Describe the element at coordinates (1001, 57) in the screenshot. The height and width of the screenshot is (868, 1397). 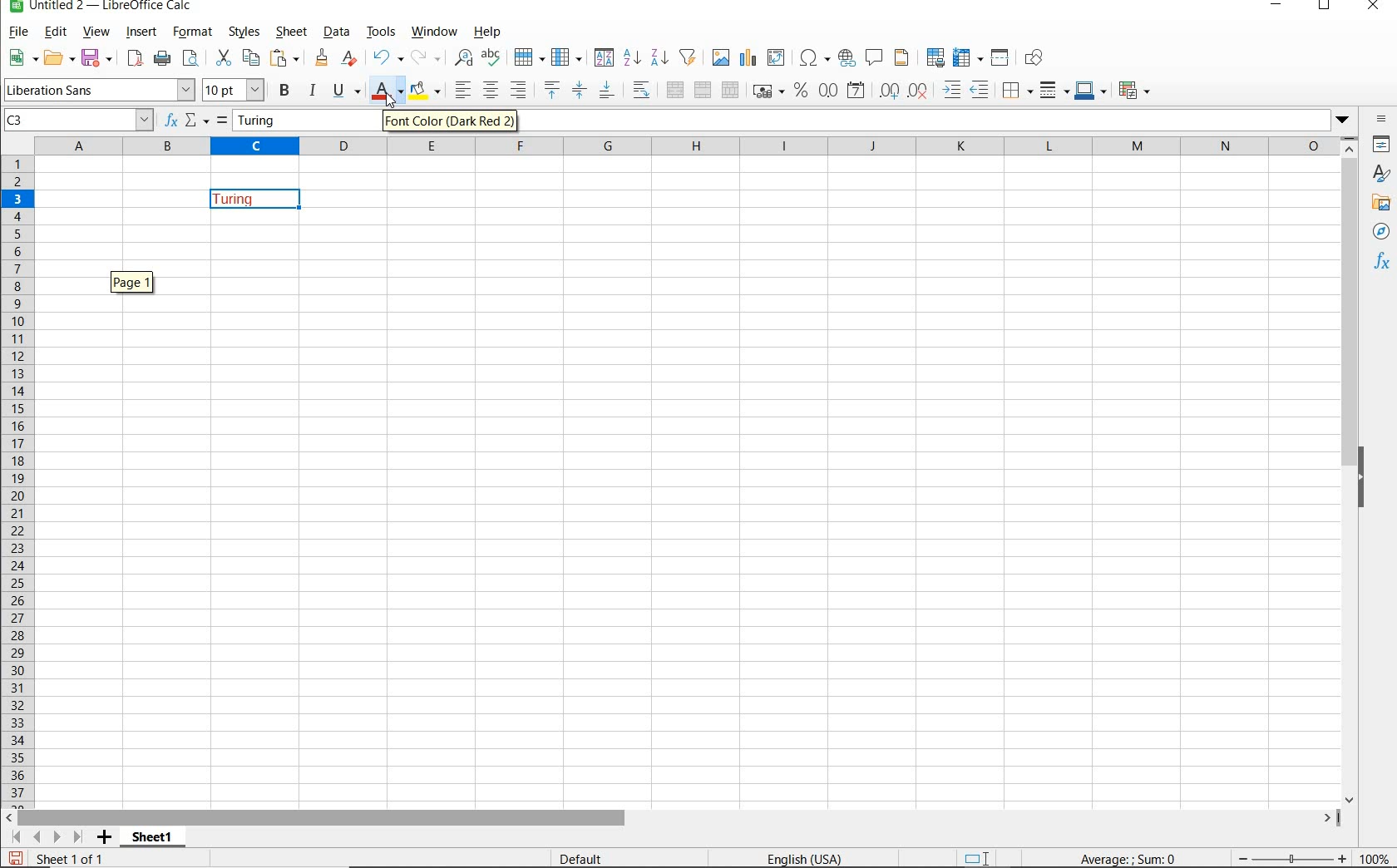
I see `SPLIT WINDOW` at that location.